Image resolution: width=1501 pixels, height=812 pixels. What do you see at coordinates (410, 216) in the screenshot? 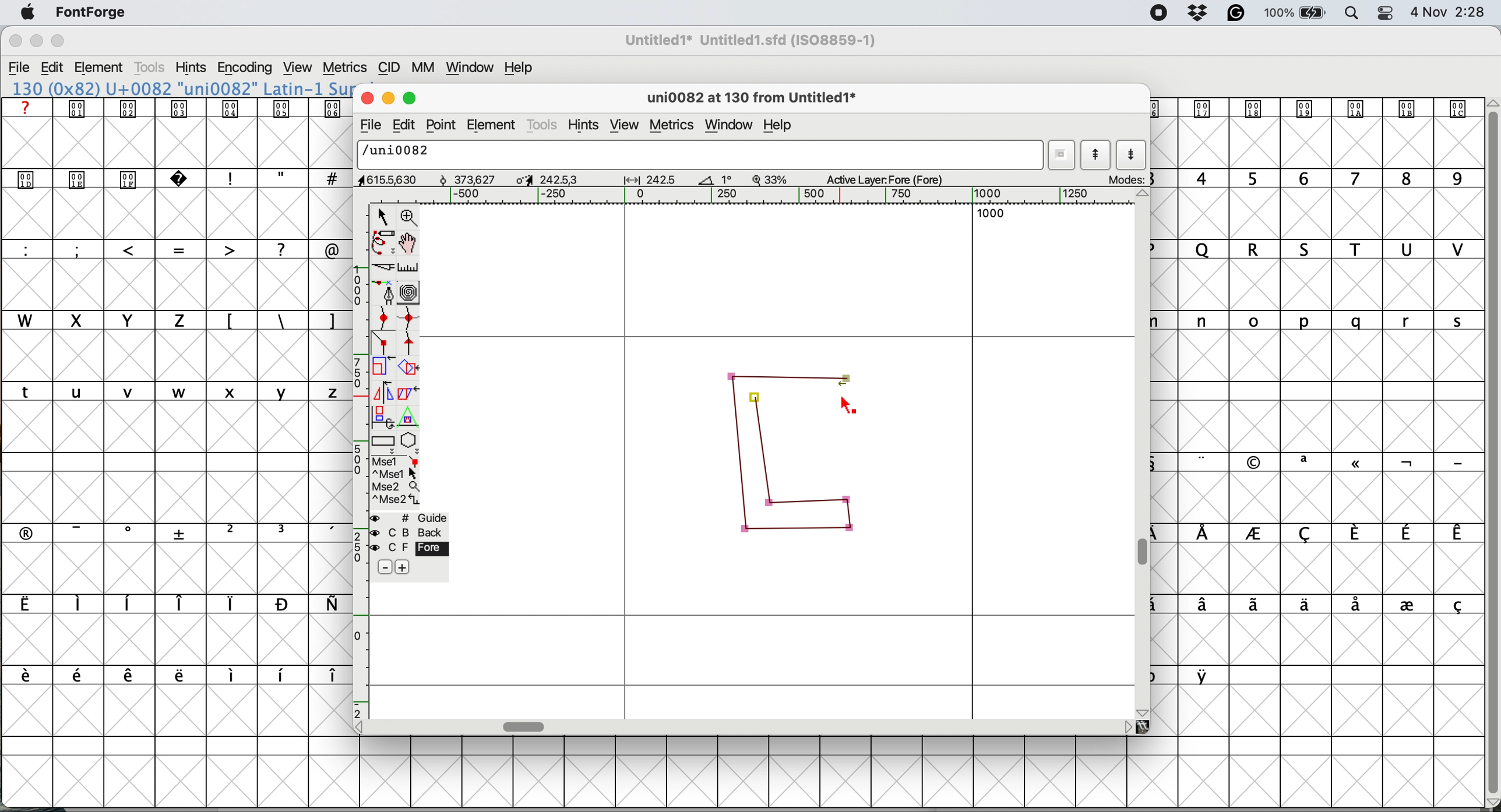
I see `zoom` at bounding box center [410, 216].